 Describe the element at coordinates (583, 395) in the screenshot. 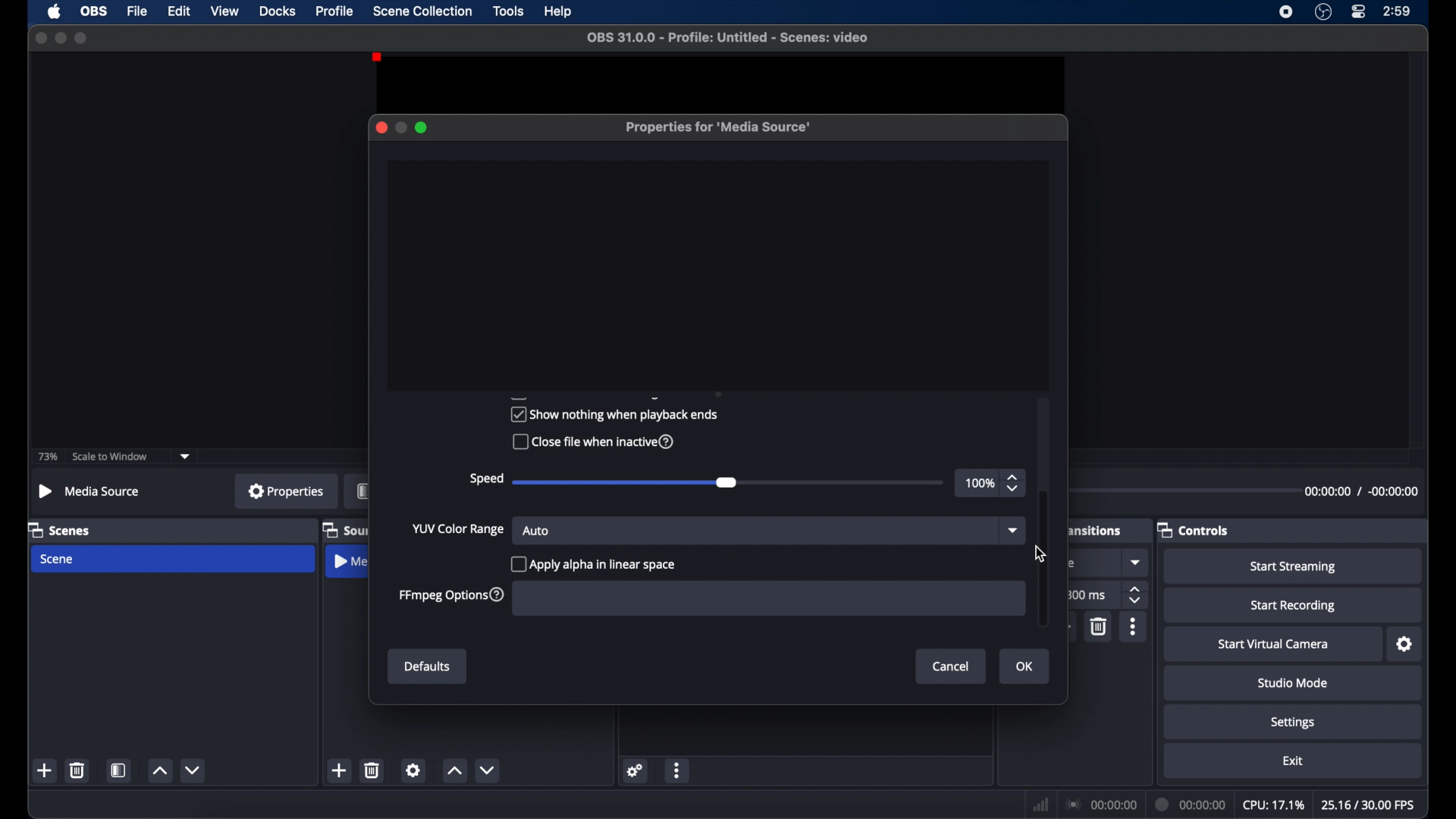

I see `obscure text` at that location.